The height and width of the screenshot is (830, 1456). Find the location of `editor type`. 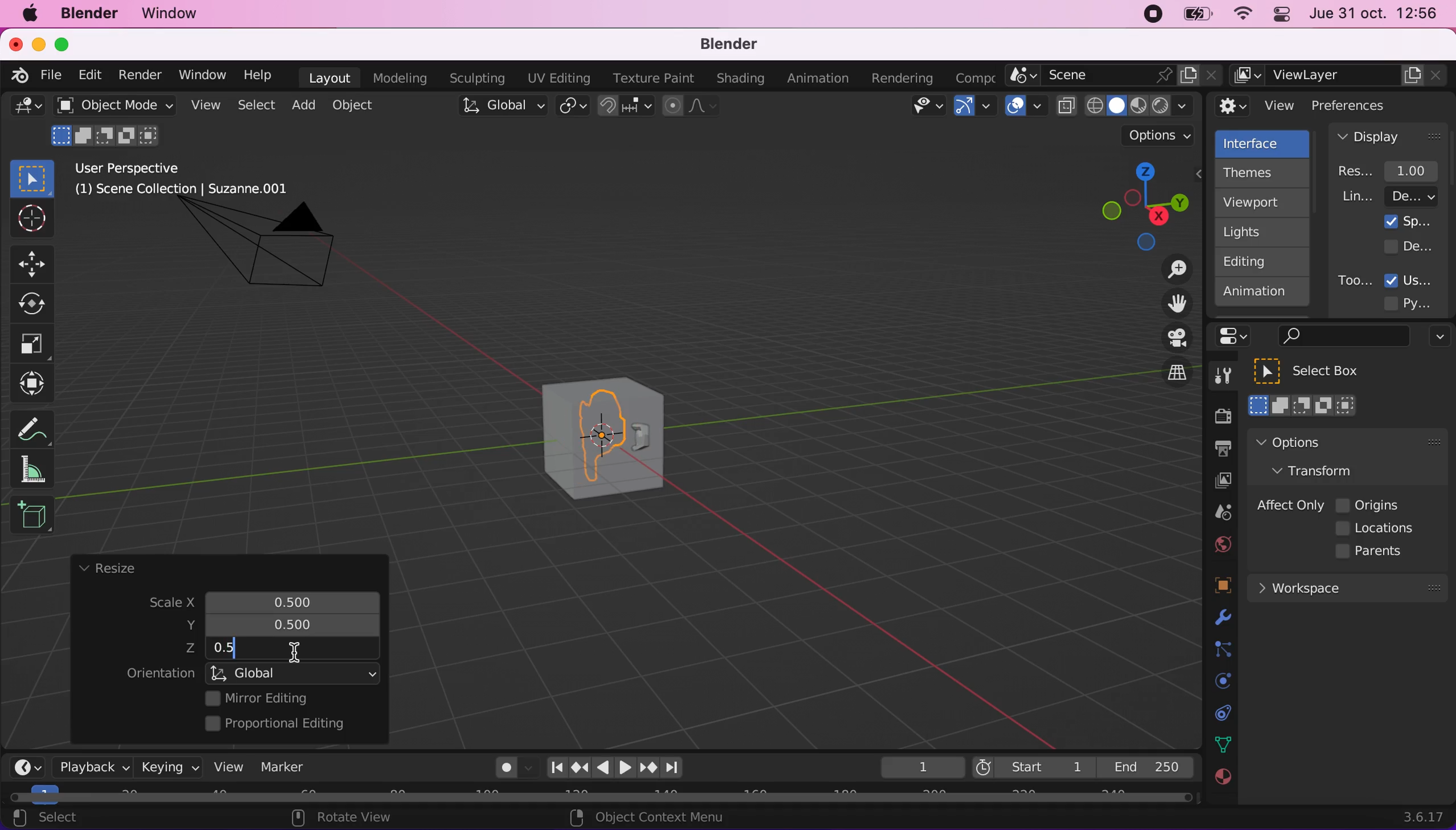

editor type is located at coordinates (23, 758).